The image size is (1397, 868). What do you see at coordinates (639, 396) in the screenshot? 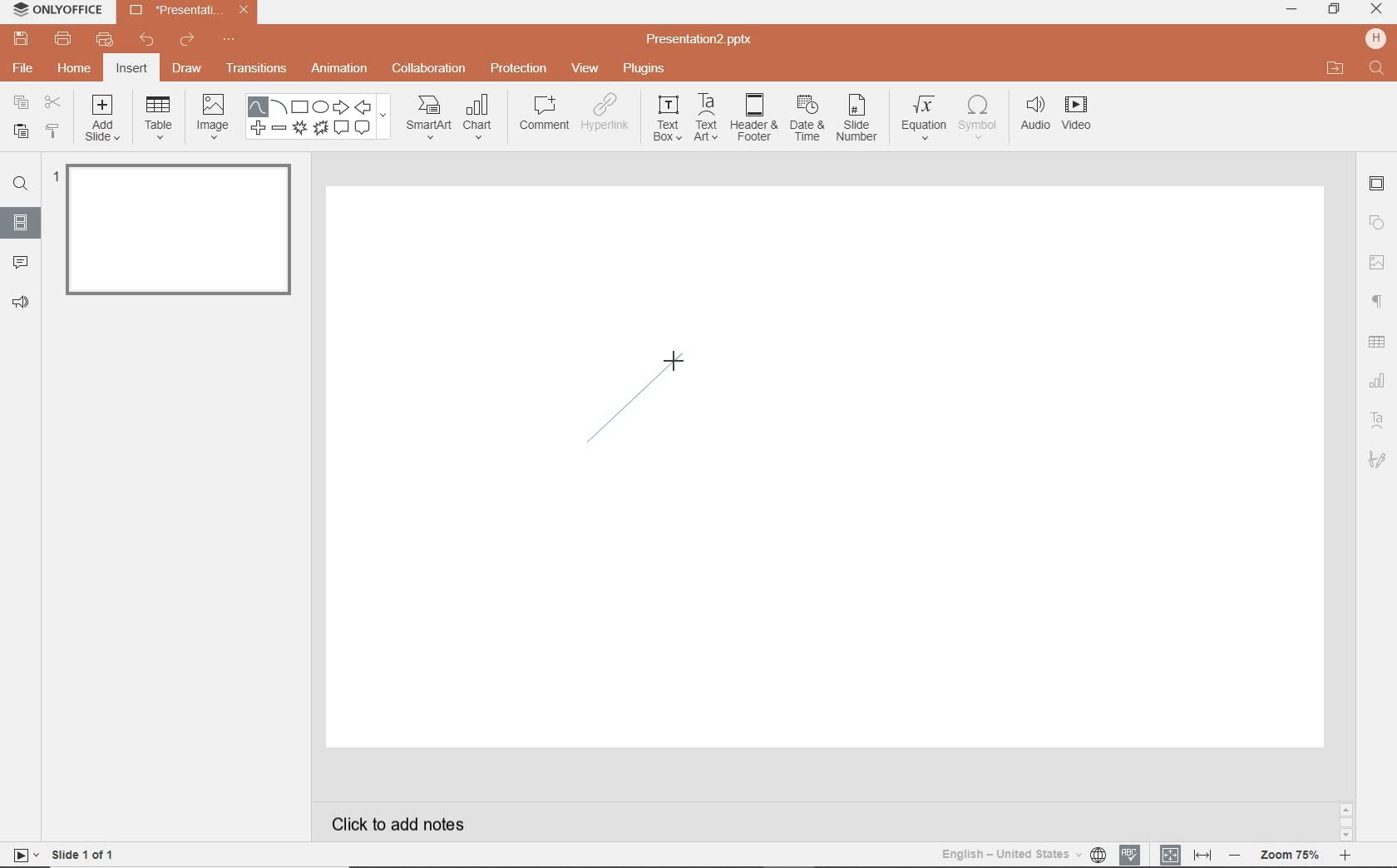
I see `drawing curve` at bounding box center [639, 396].